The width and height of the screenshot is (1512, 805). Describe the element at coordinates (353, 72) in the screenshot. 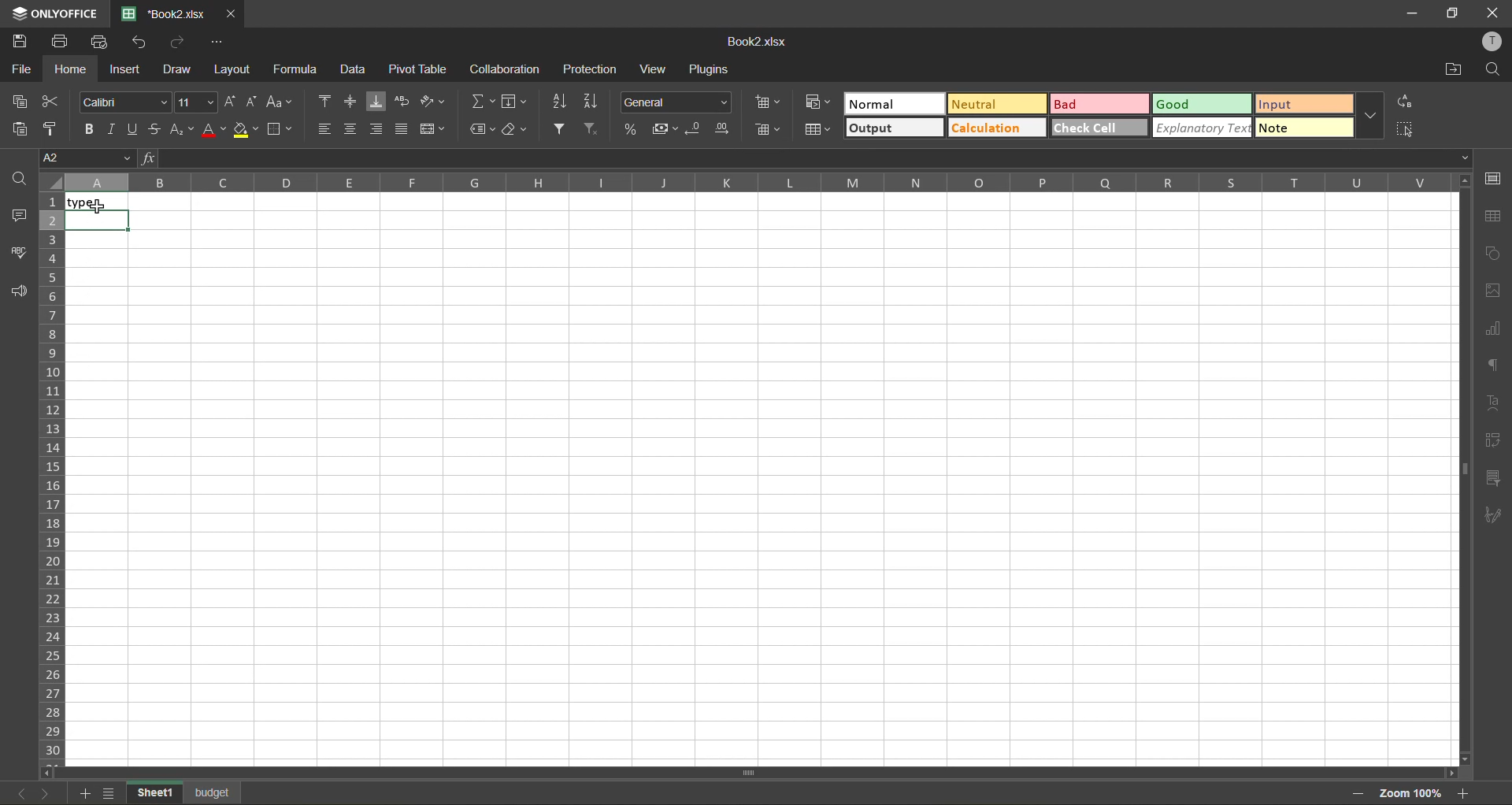

I see `data` at that location.